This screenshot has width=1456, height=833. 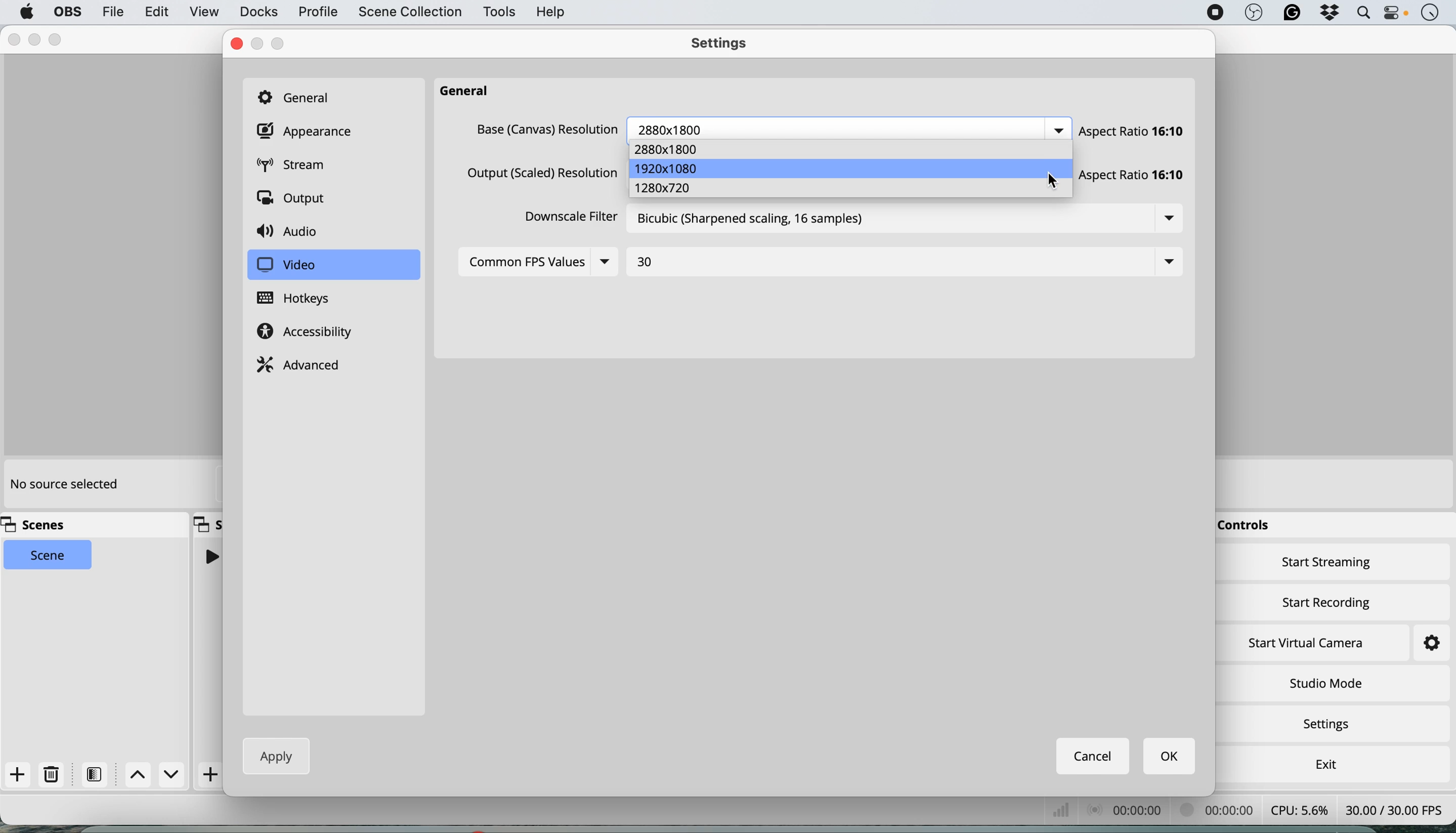 I want to click on scene collection, so click(x=409, y=13).